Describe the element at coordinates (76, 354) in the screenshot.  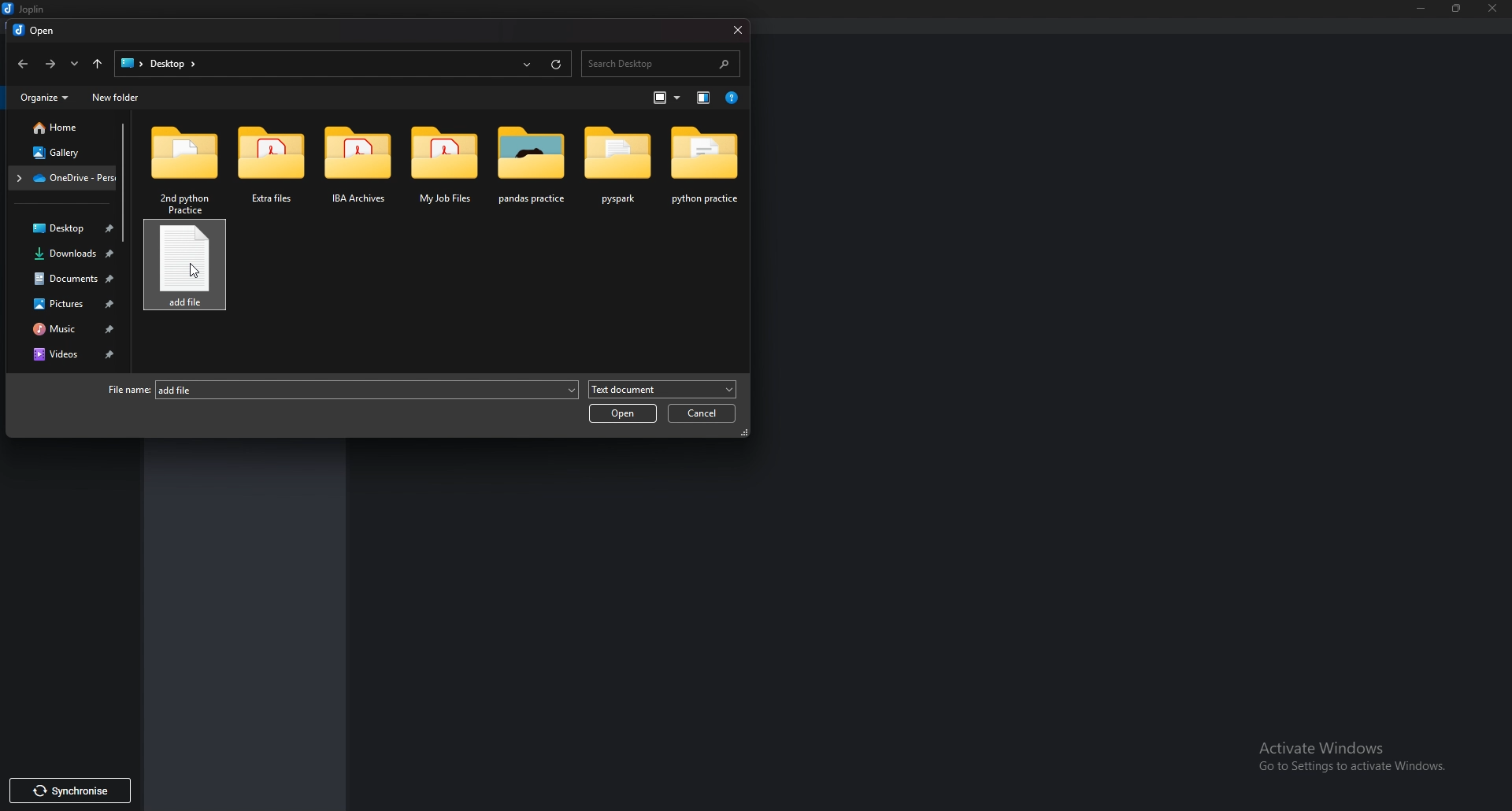
I see `Videos` at that location.